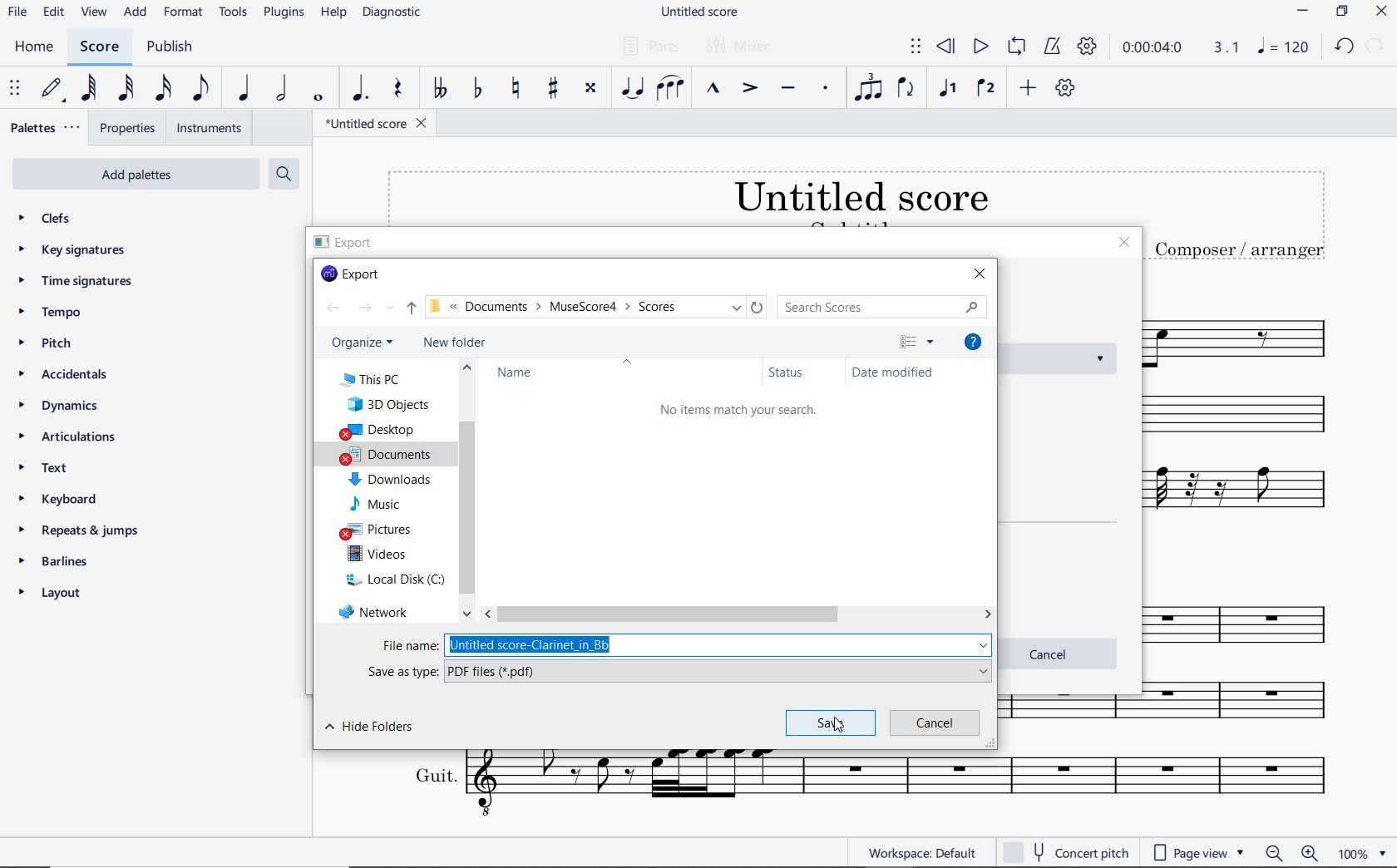 The width and height of the screenshot is (1397, 868). What do you see at coordinates (94, 11) in the screenshot?
I see `VIEW` at bounding box center [94, 11].